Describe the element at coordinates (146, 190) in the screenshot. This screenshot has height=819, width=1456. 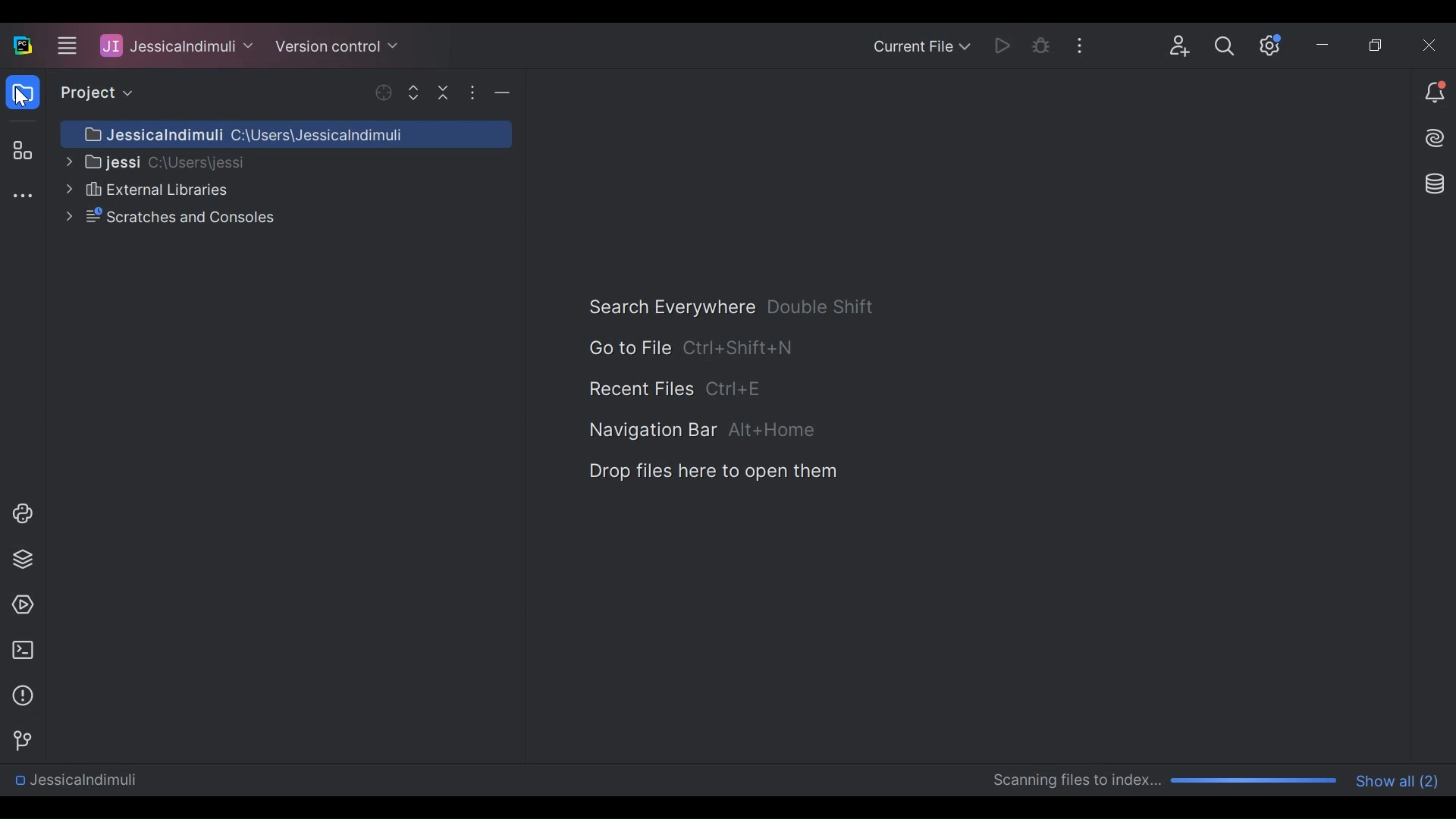
I see `External libraries` at that location.